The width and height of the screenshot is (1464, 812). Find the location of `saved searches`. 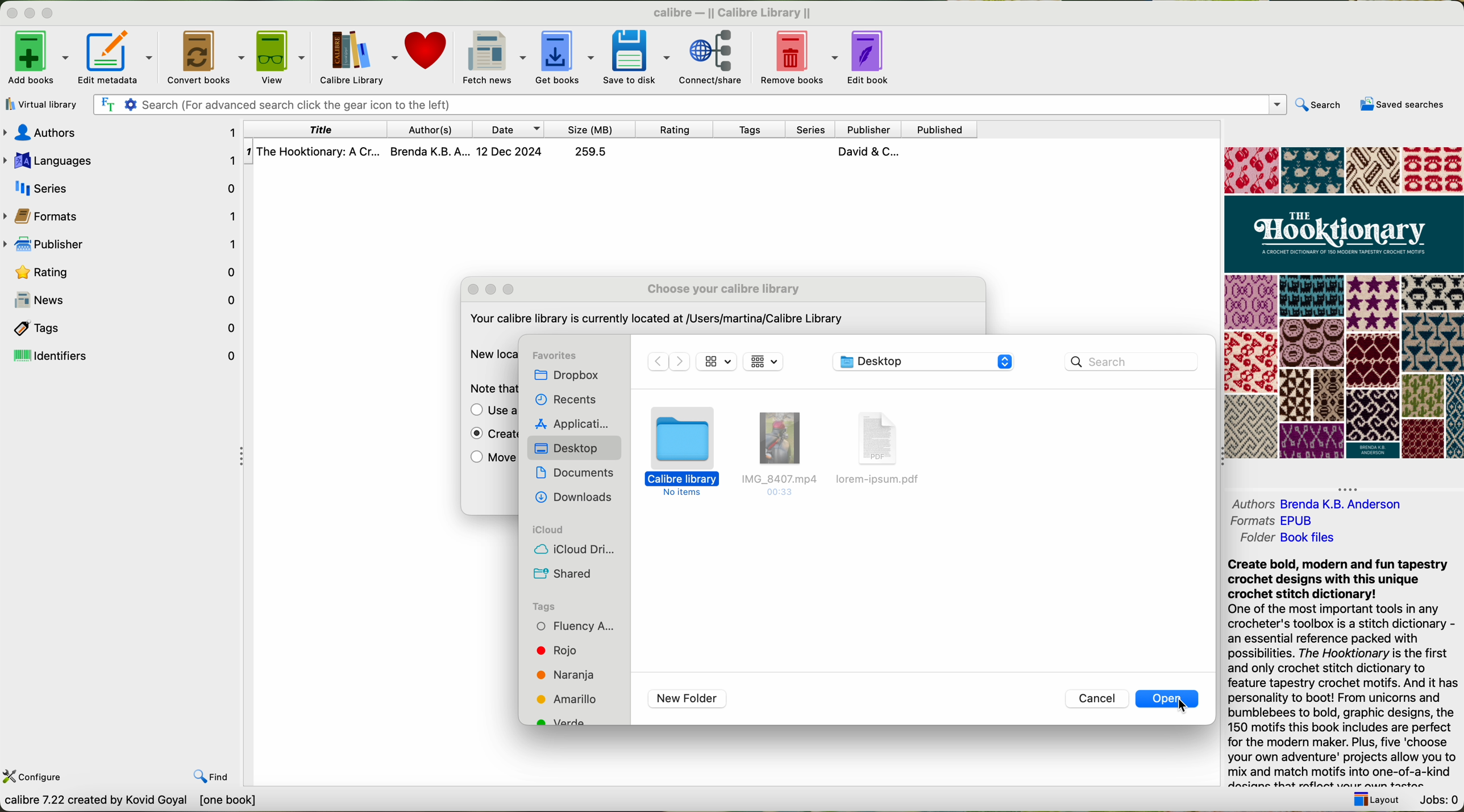

saved searches is located at coordinates (1401, 105).